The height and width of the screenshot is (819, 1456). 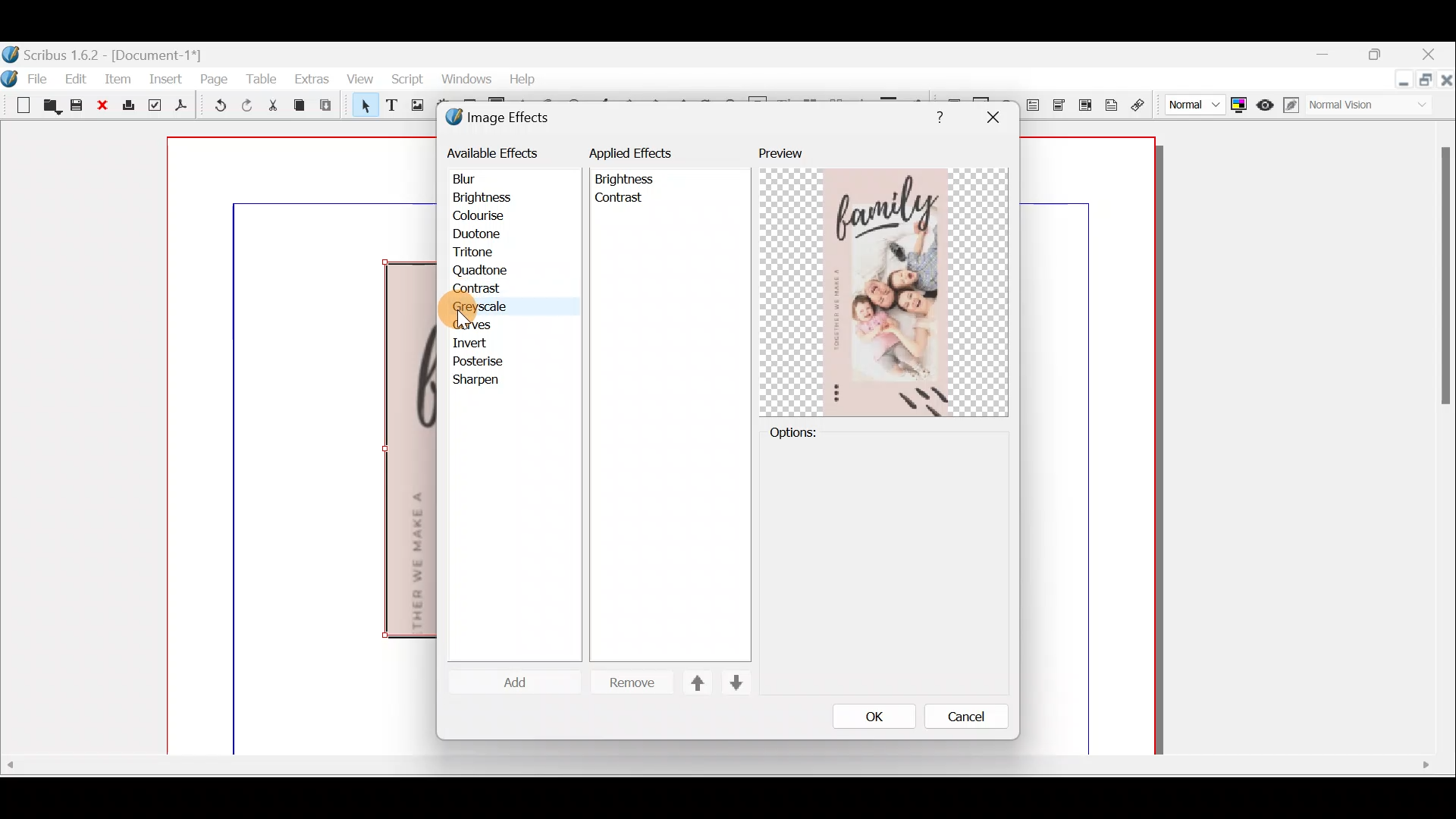 I want to click on Cursor, so click(x=518, y=682).